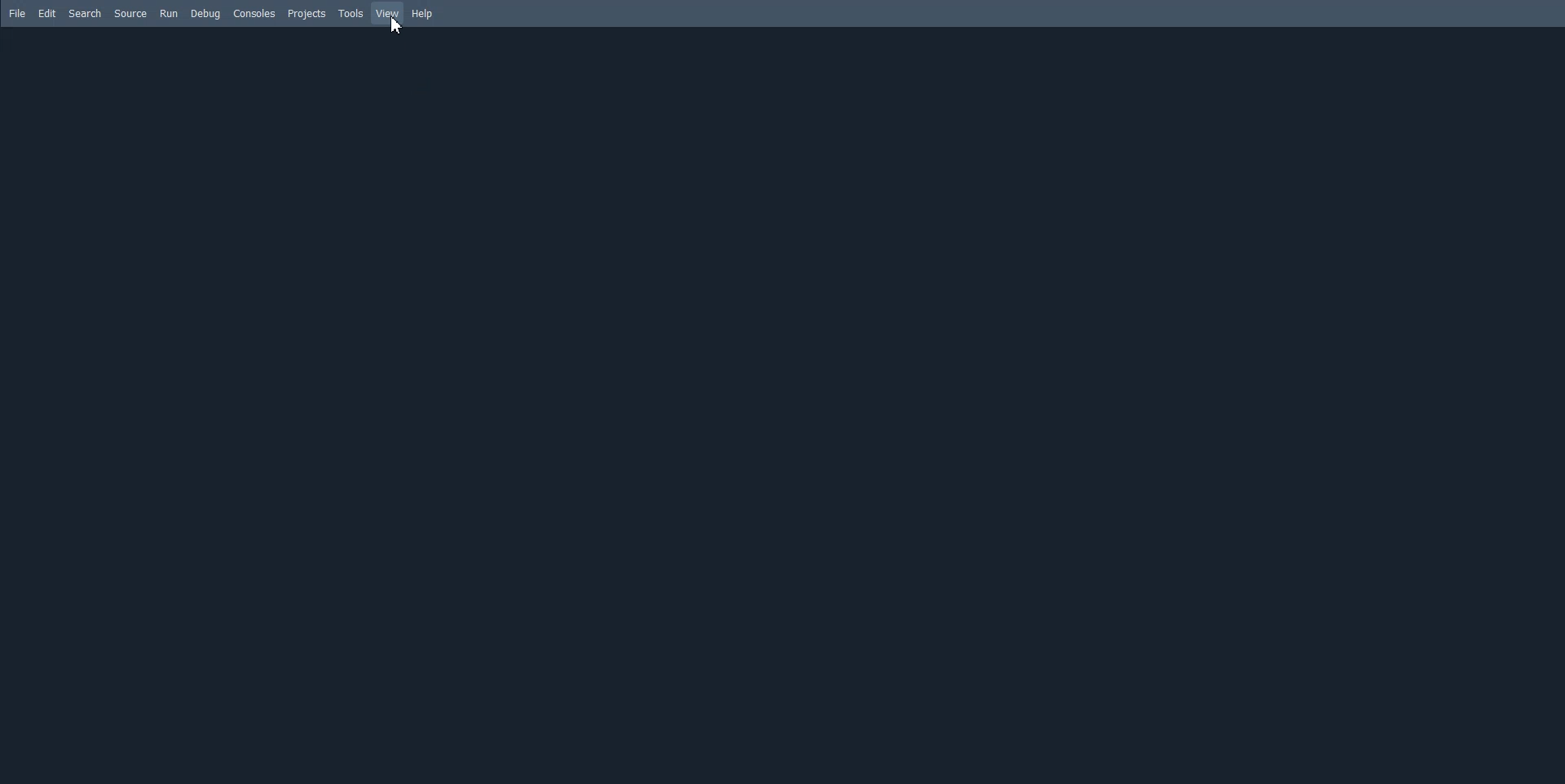 The image size is (1565, 784). What do you see at coordinates (205, 14) in the screenshot?
I see `Debug` at bounding box center [205, 14].